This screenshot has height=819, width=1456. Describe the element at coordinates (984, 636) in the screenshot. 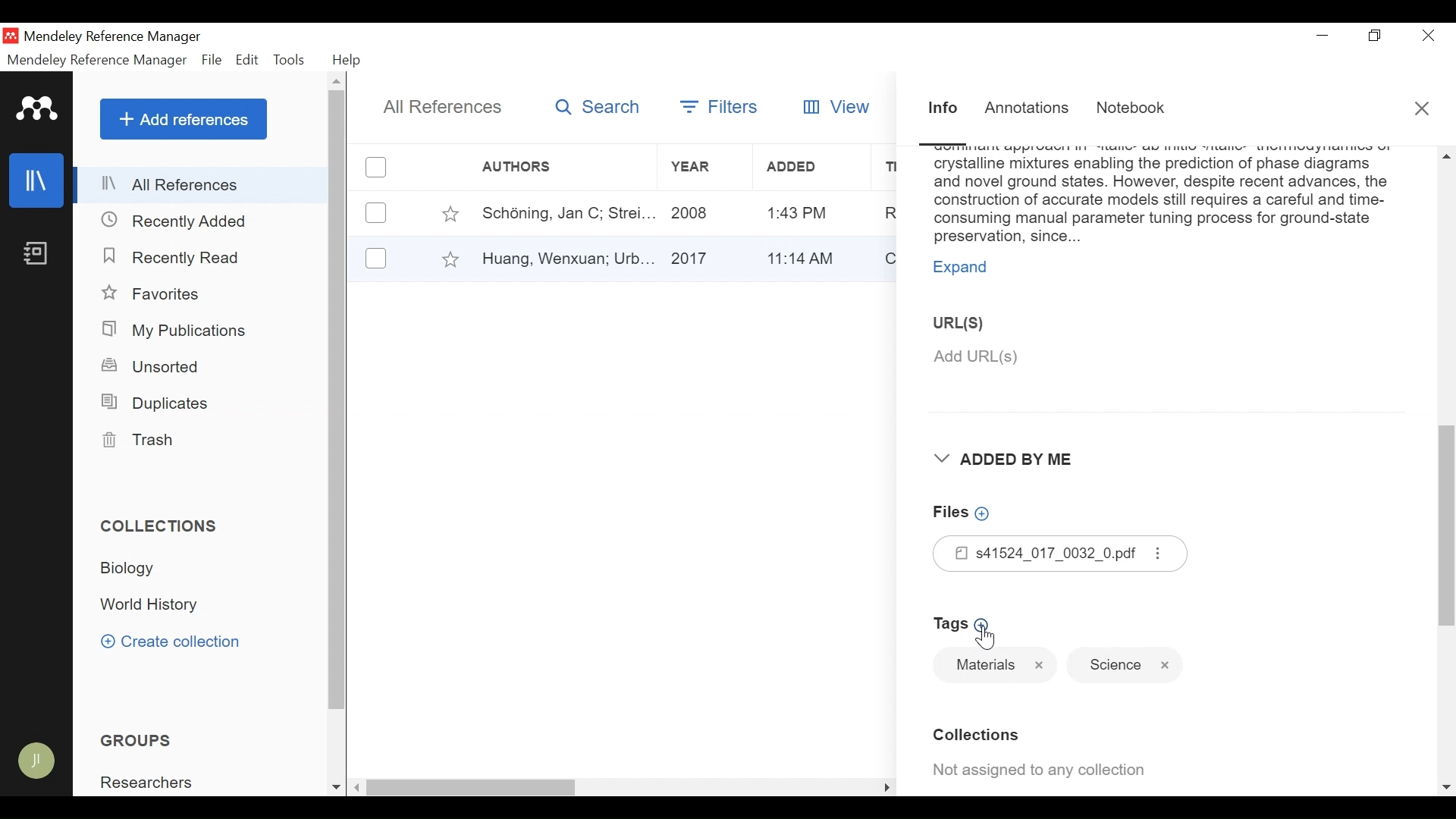

I see `Cursor` at that location.